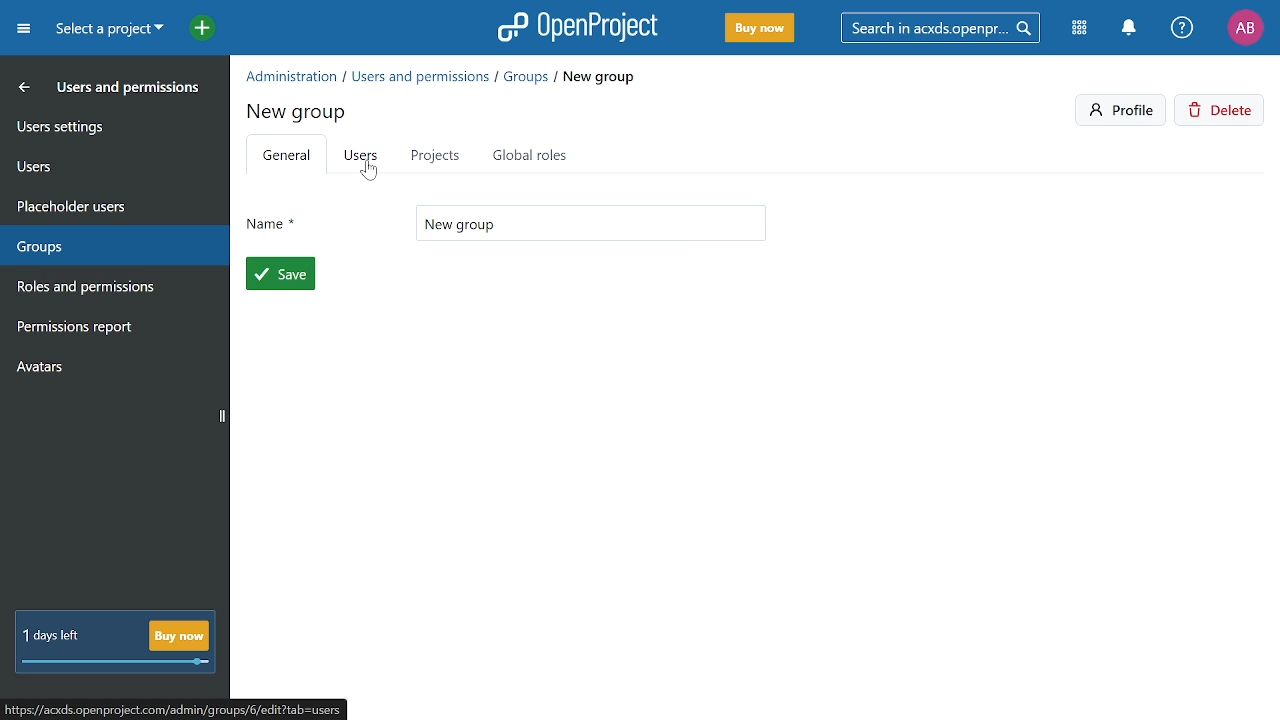 This screenshot has width=1280, height=720. What do you see at coordinates (115, 643) in the screenshot?
I see `! day left Buy now` at bounding box center [115, 643].